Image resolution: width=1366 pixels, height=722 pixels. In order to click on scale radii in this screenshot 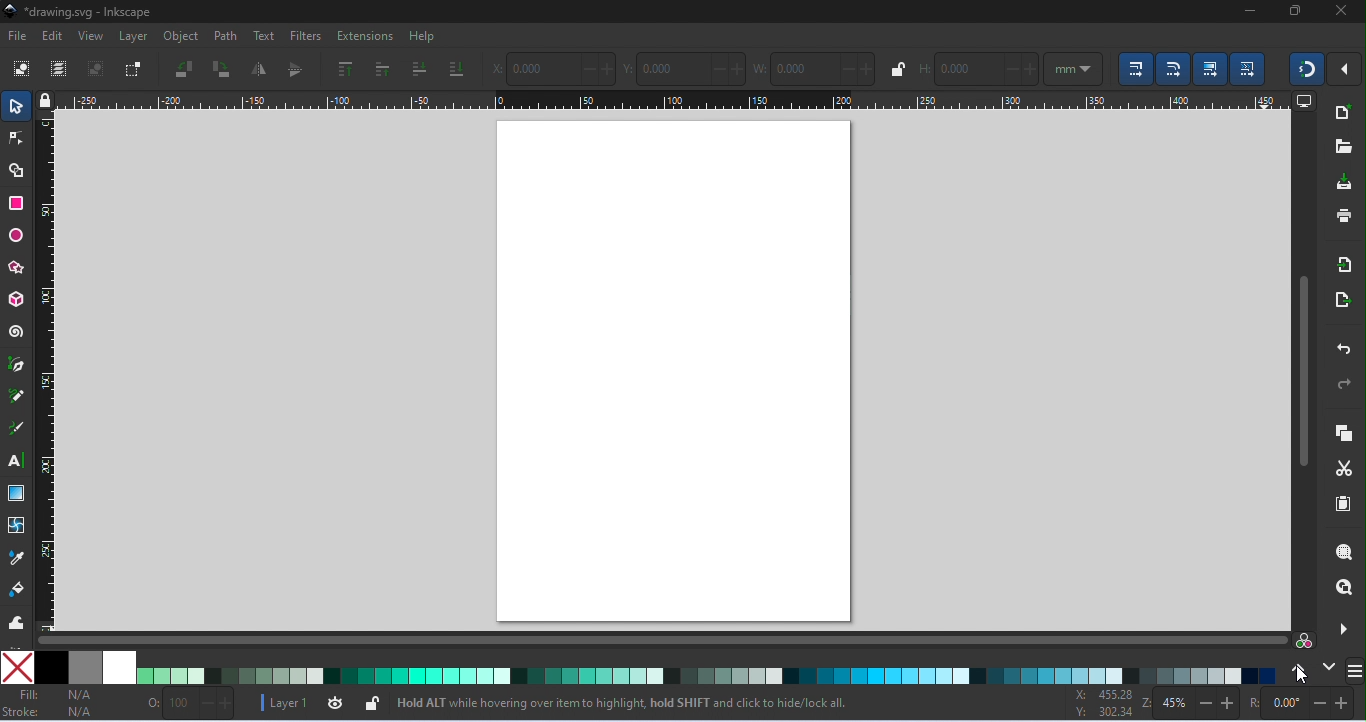, I will do `click(1173, 69)`.